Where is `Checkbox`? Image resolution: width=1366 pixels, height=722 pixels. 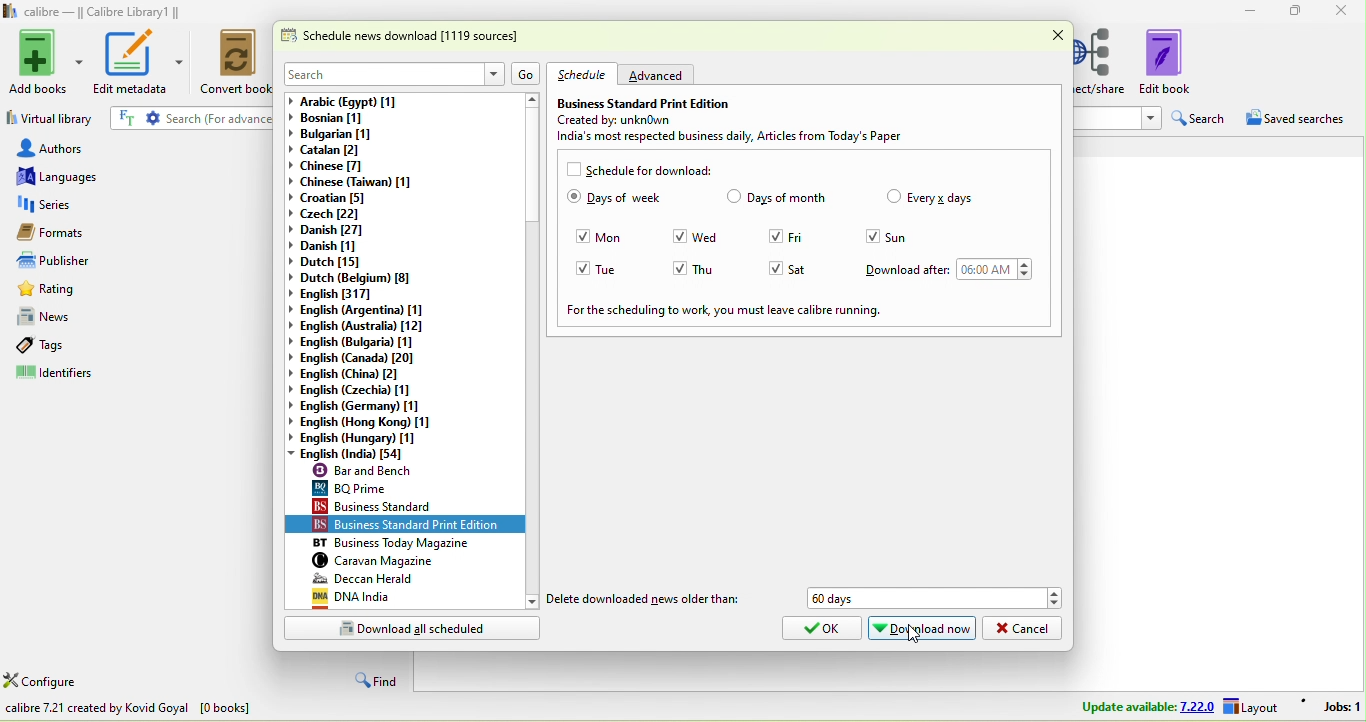
Checkbox is located at coordinates (680, 267).